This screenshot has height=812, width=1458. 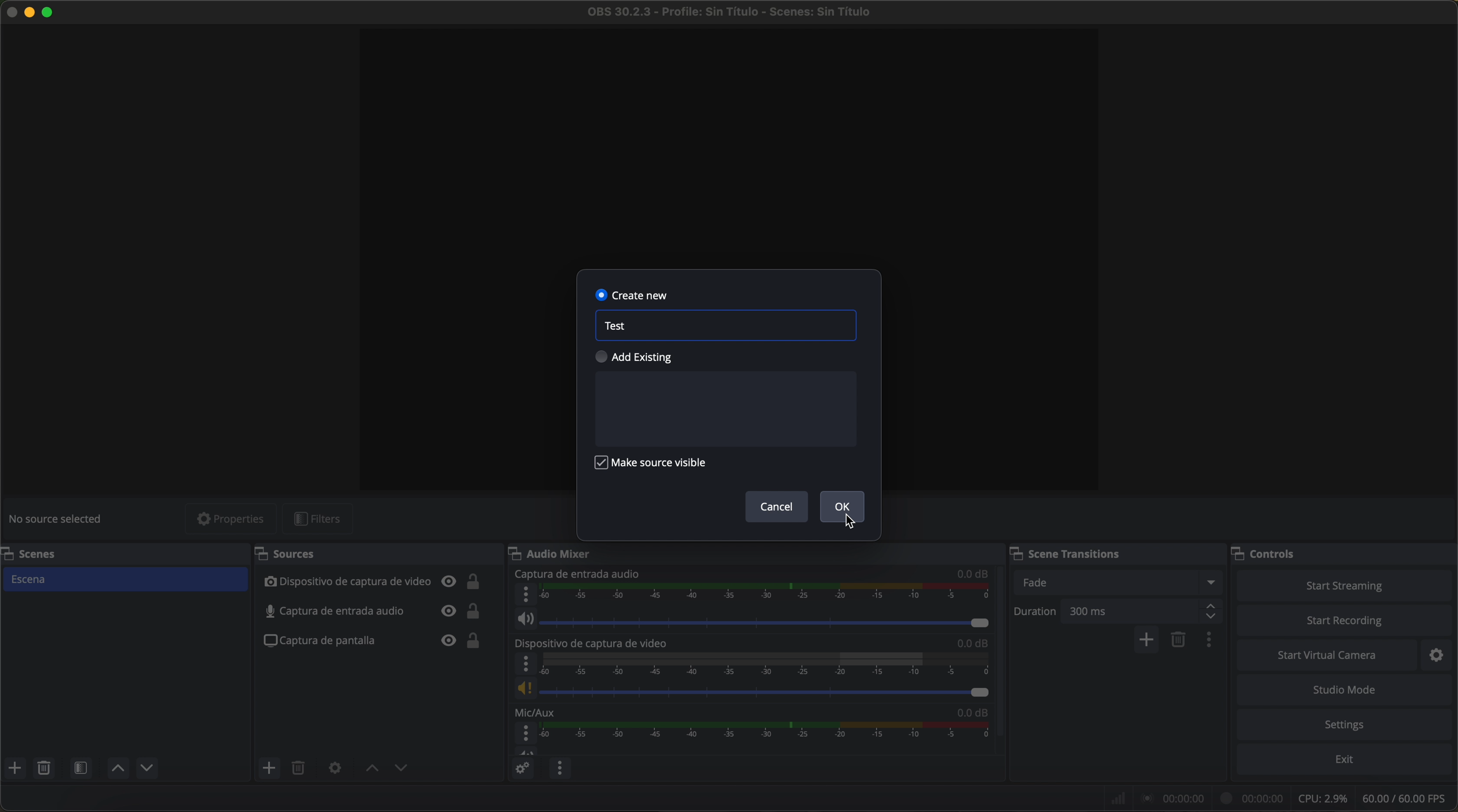 What do you see at coordinates (1143, 611) in the screenshot?
I see `300 ms` at bounding box center [1143, 611].